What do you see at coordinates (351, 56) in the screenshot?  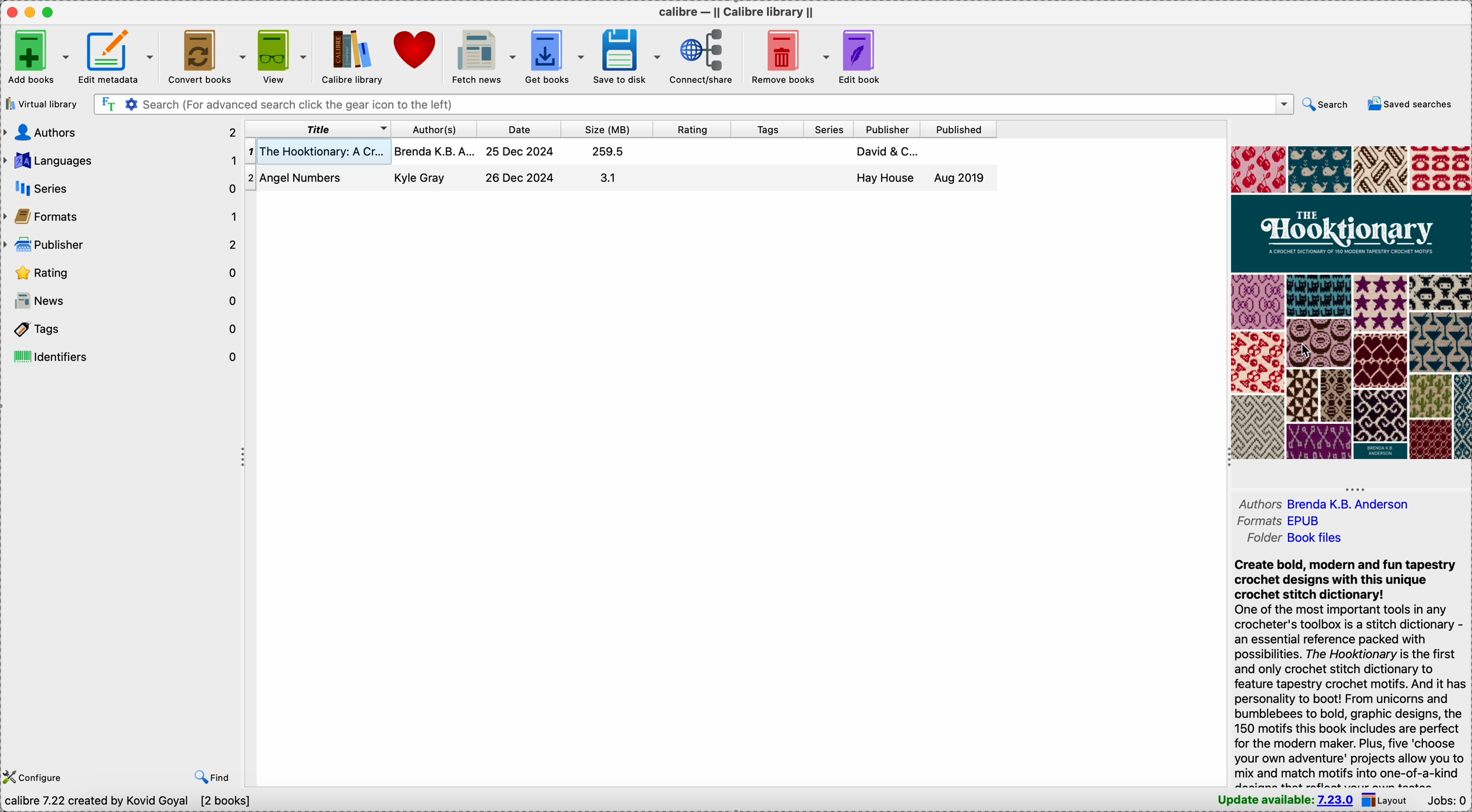 I see `Calibre library` at bounding box center [351, 56].